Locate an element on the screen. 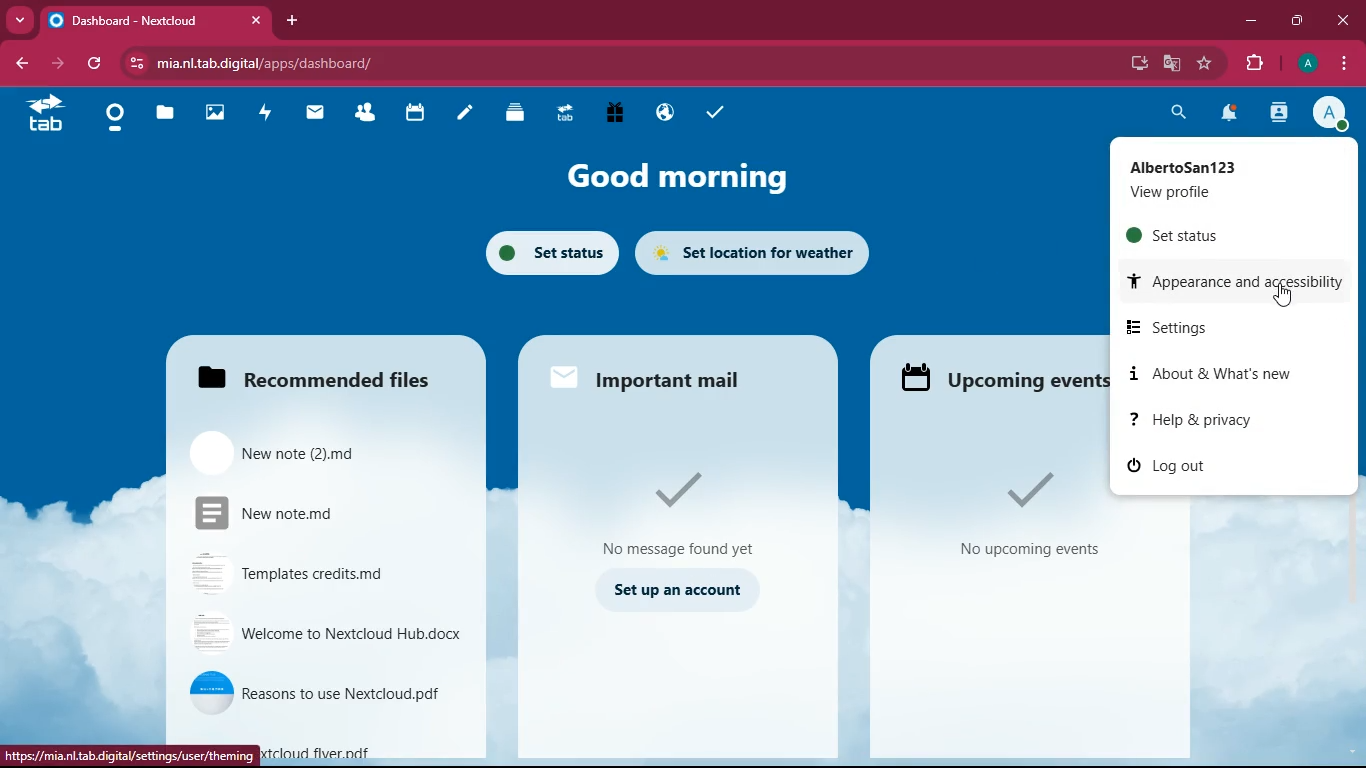  files is located at coordinates (165, 115).